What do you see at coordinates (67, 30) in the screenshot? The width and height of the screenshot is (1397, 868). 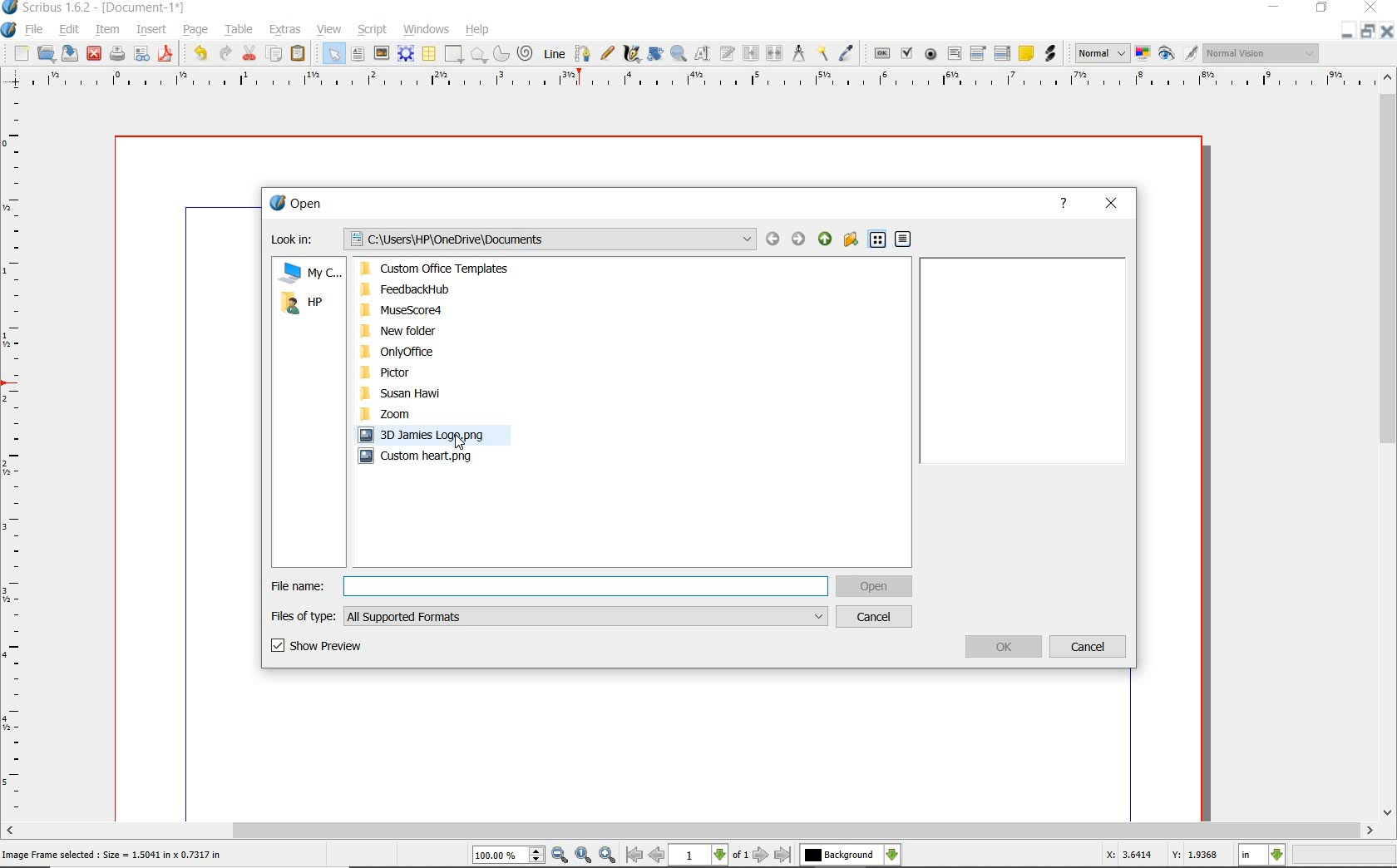 I see `edit` at bounding box center [67, 30].